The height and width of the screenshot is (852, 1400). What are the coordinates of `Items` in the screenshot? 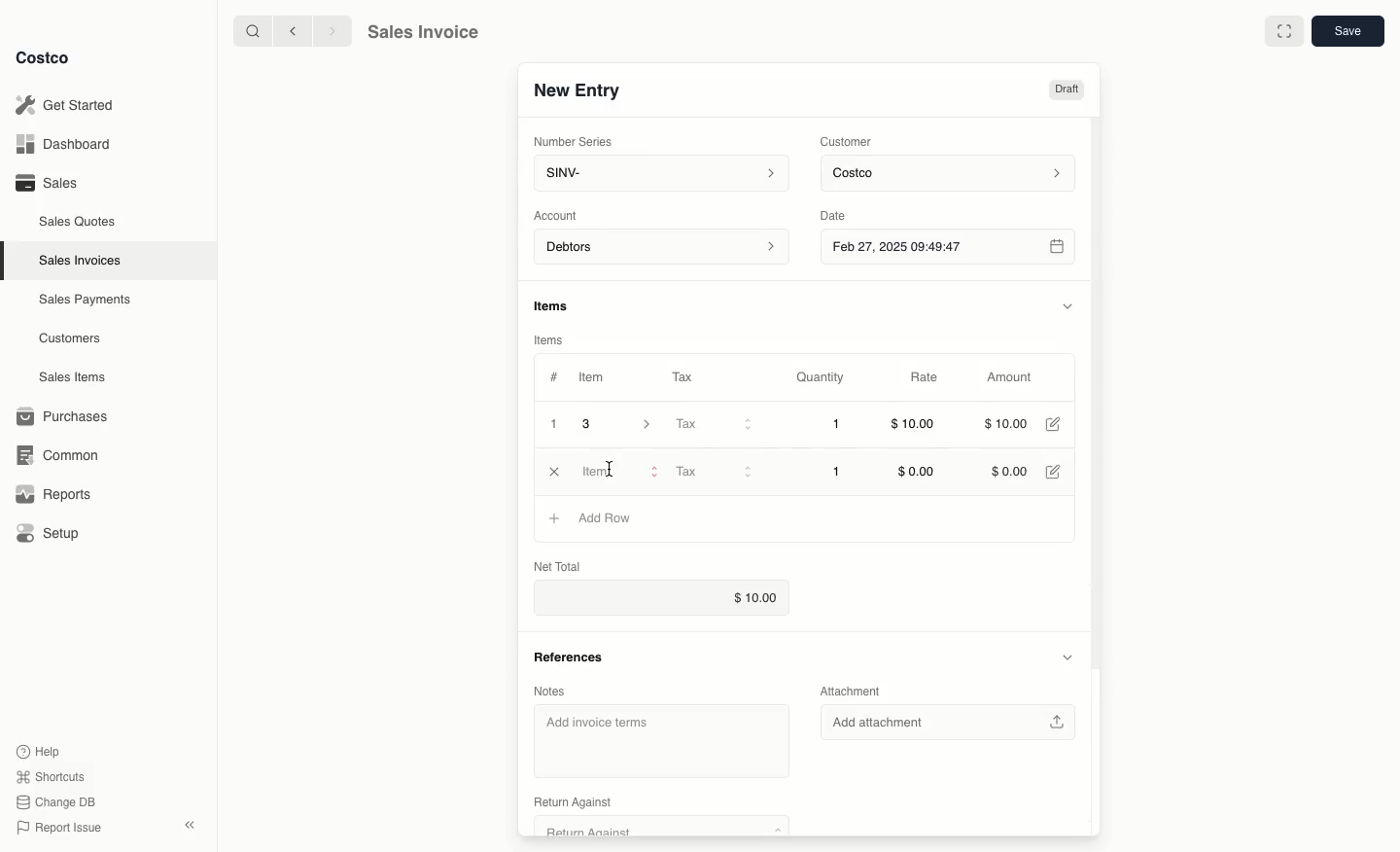 It's located at (560, 307).